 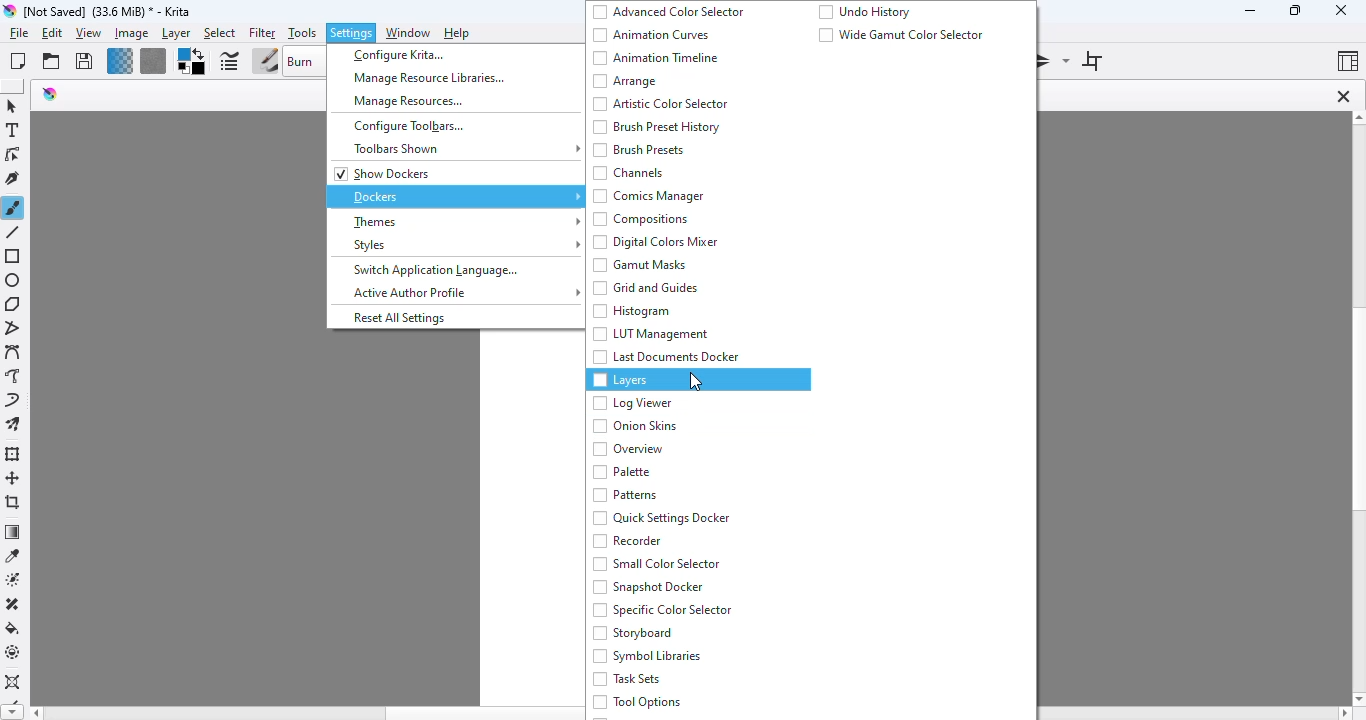 I want to click on wrap around mode, so click(x=1092, y=61).